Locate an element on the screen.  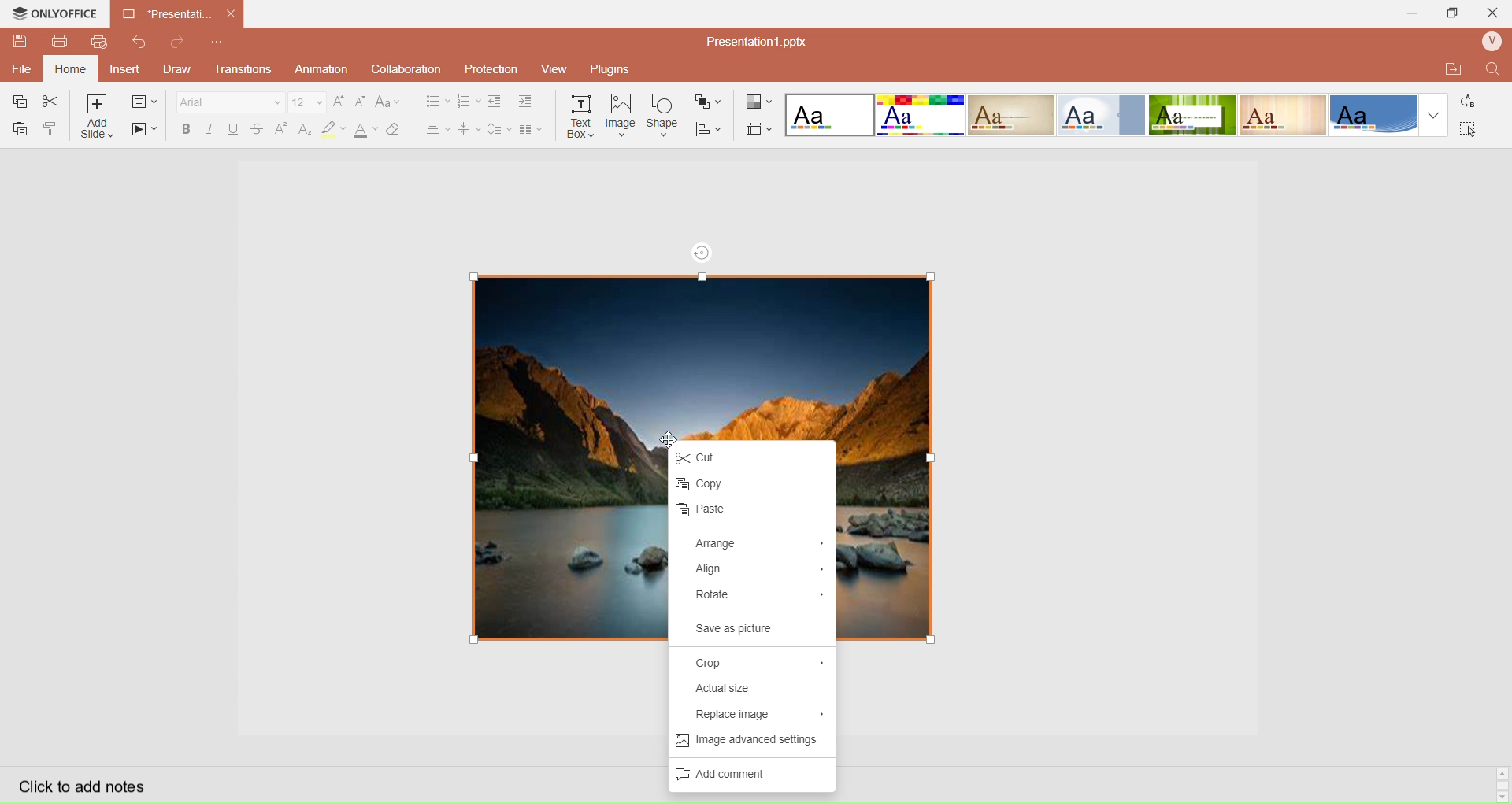
Current open document is located at coordinates (169, 14).